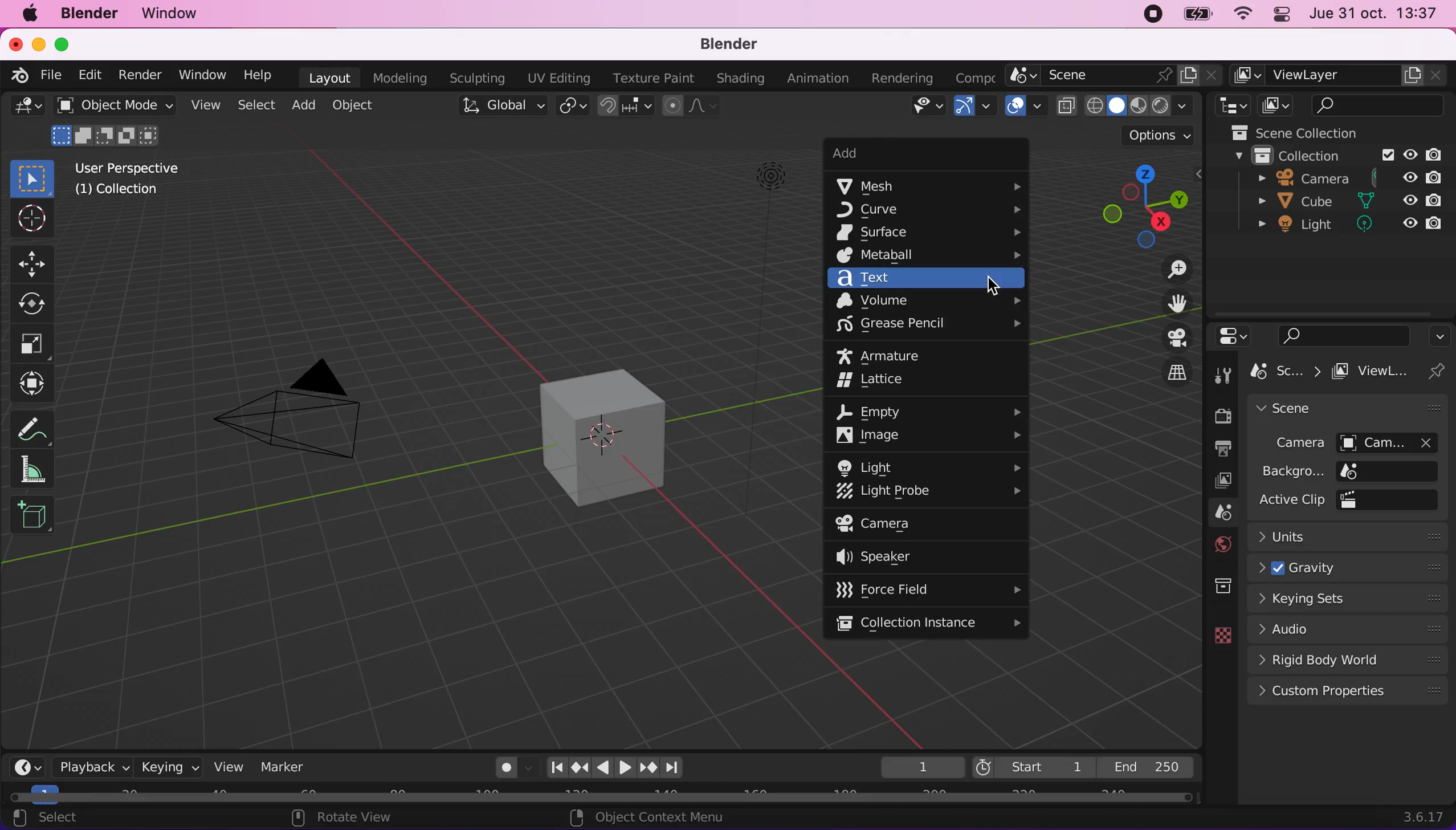 The height and width of the screenshot is (830, 1456). What do you see at coordinates (1209, 587) in the screenshot?
I see `collection` at bounding box center [1209, 587].